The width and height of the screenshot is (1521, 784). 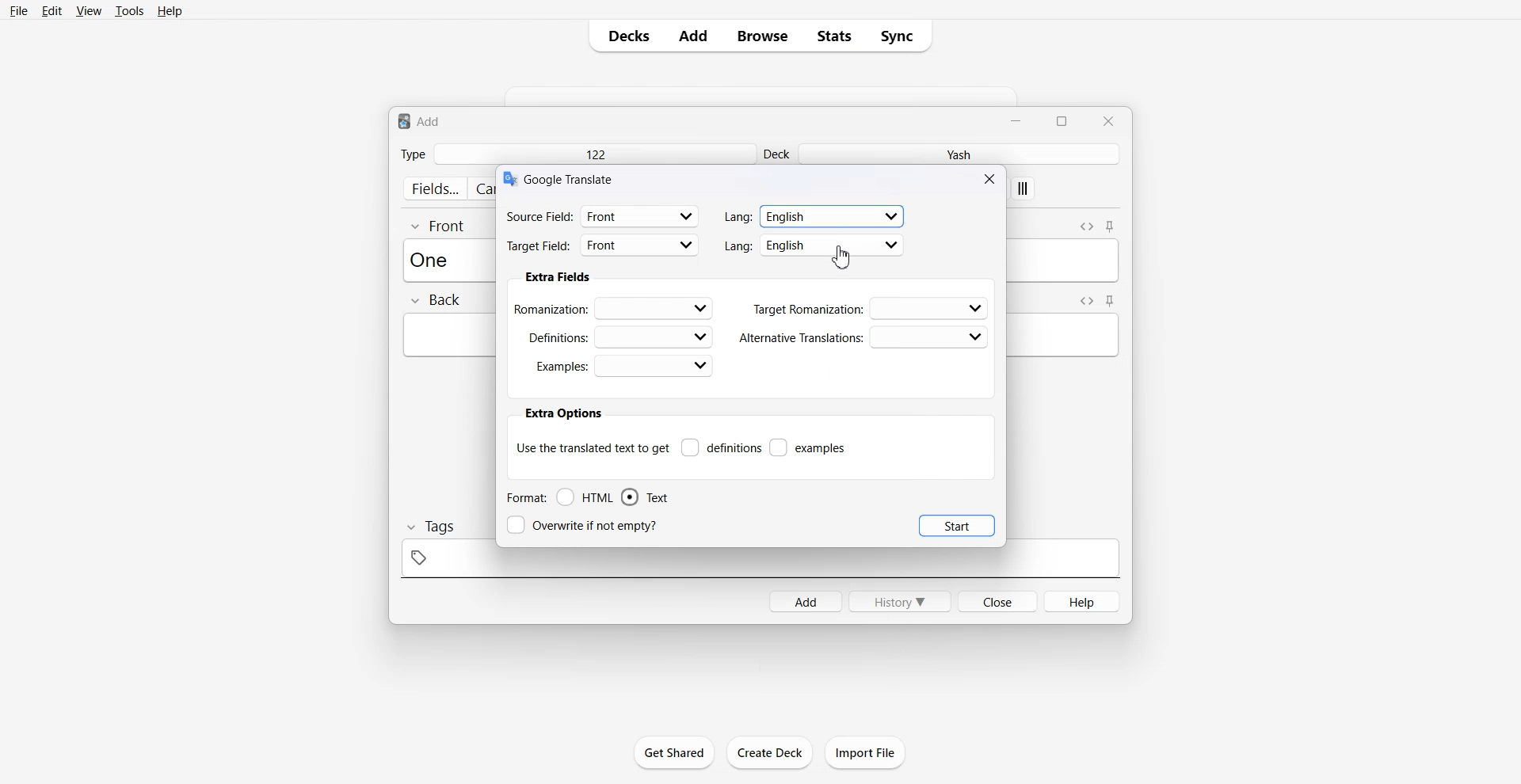 What do you see at coordinates (87, 10) in the screenshot?
I see `View` at bounding box center [87, 10].